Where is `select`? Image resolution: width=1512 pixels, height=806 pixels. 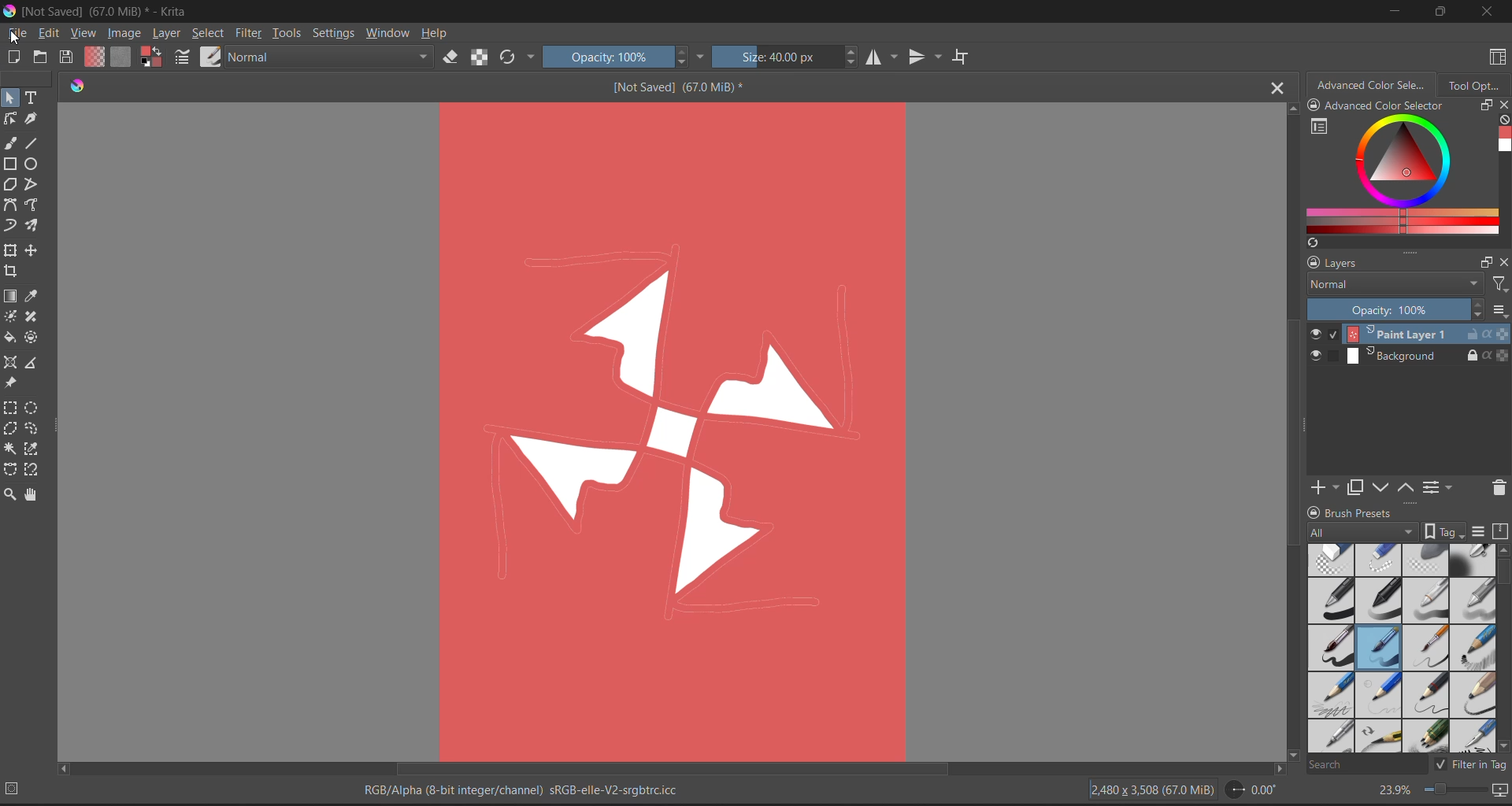
select is located at coordinates (210, 35).